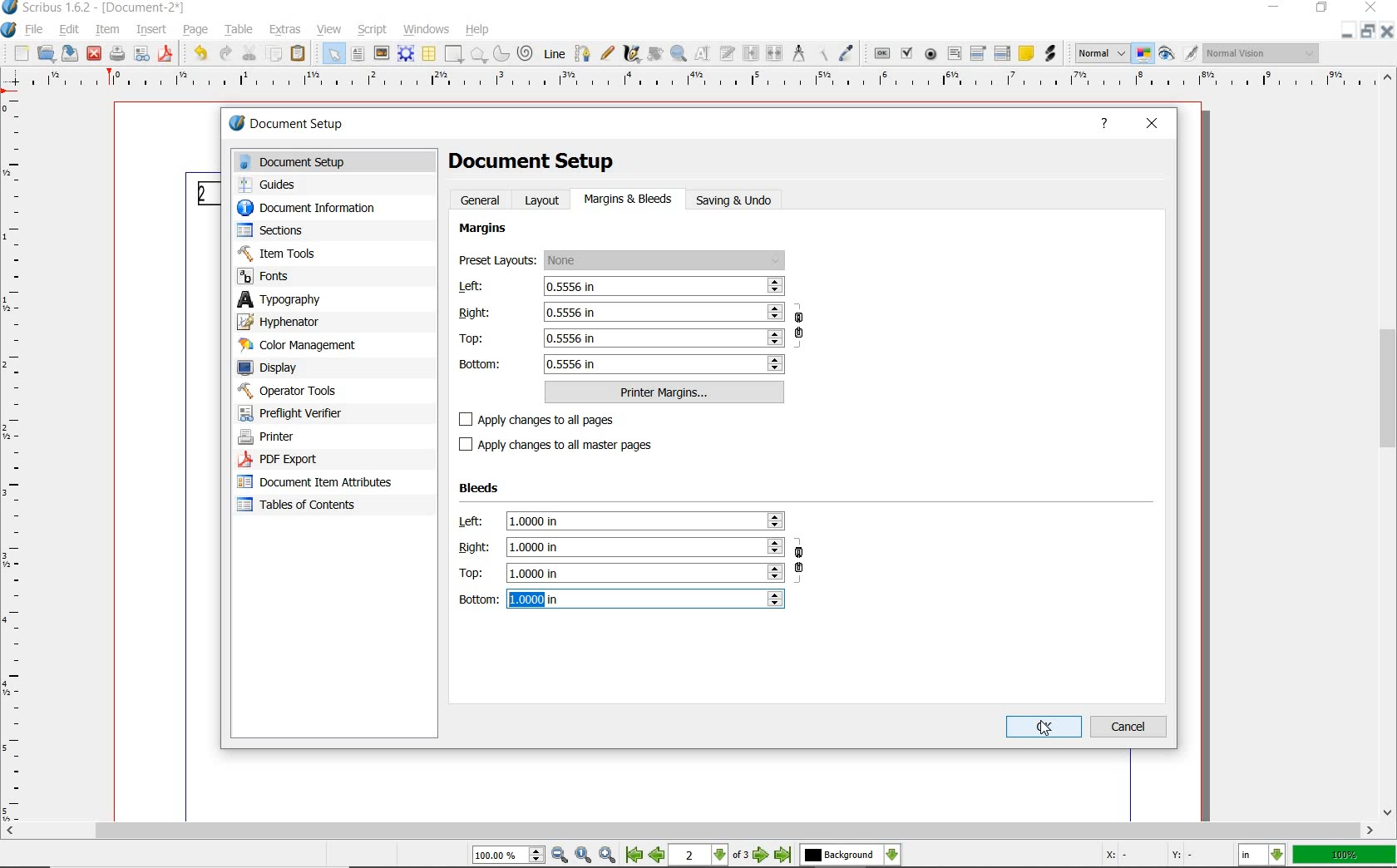 This screenshot has height=868, width=1397. I want to click on Edit in Preview Mode, so click(1190, 56).